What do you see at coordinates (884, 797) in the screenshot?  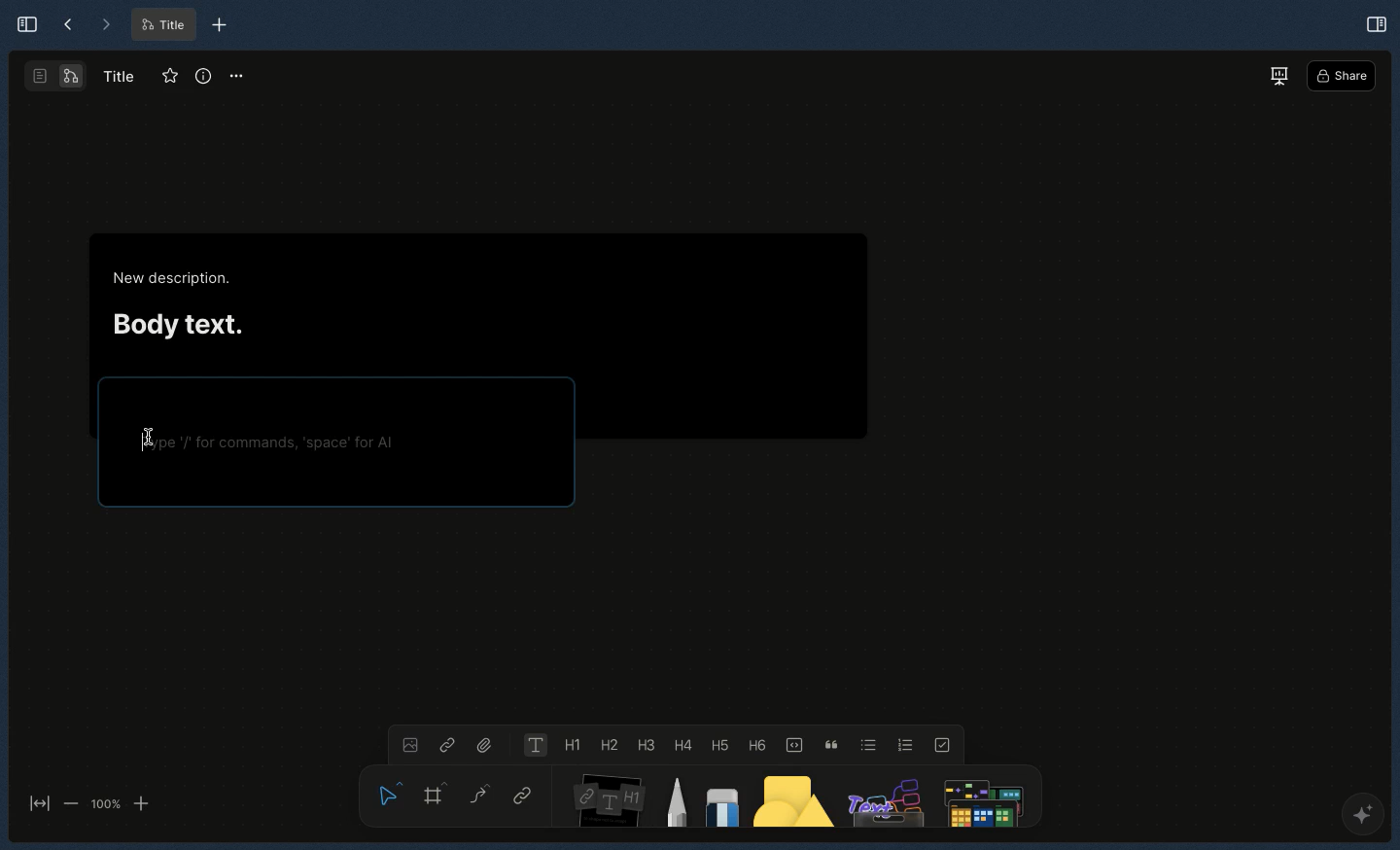 I see `Others` at bounding box center [884, 797].